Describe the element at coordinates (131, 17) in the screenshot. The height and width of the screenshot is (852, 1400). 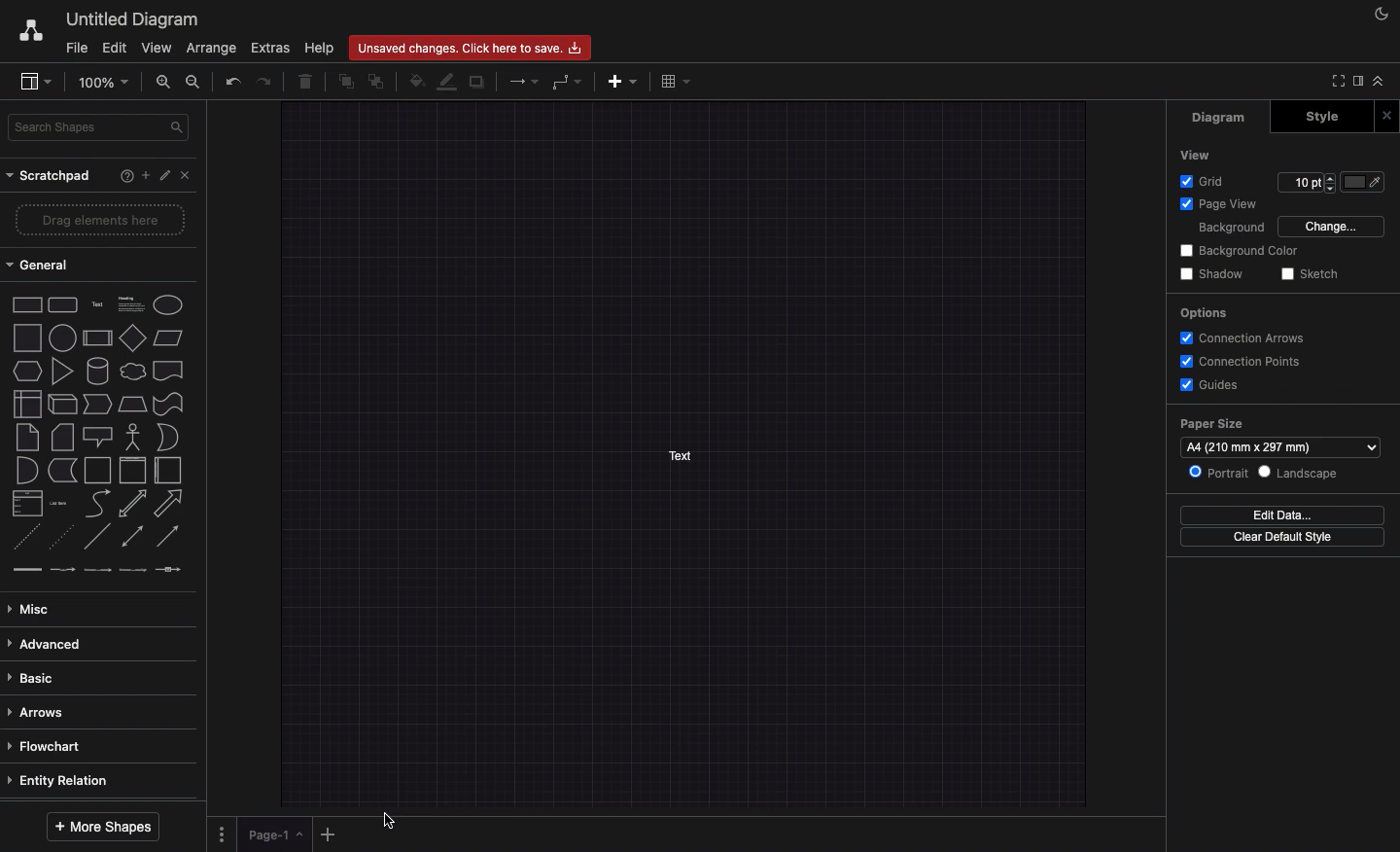
I see `Untitled diagram` at that location.